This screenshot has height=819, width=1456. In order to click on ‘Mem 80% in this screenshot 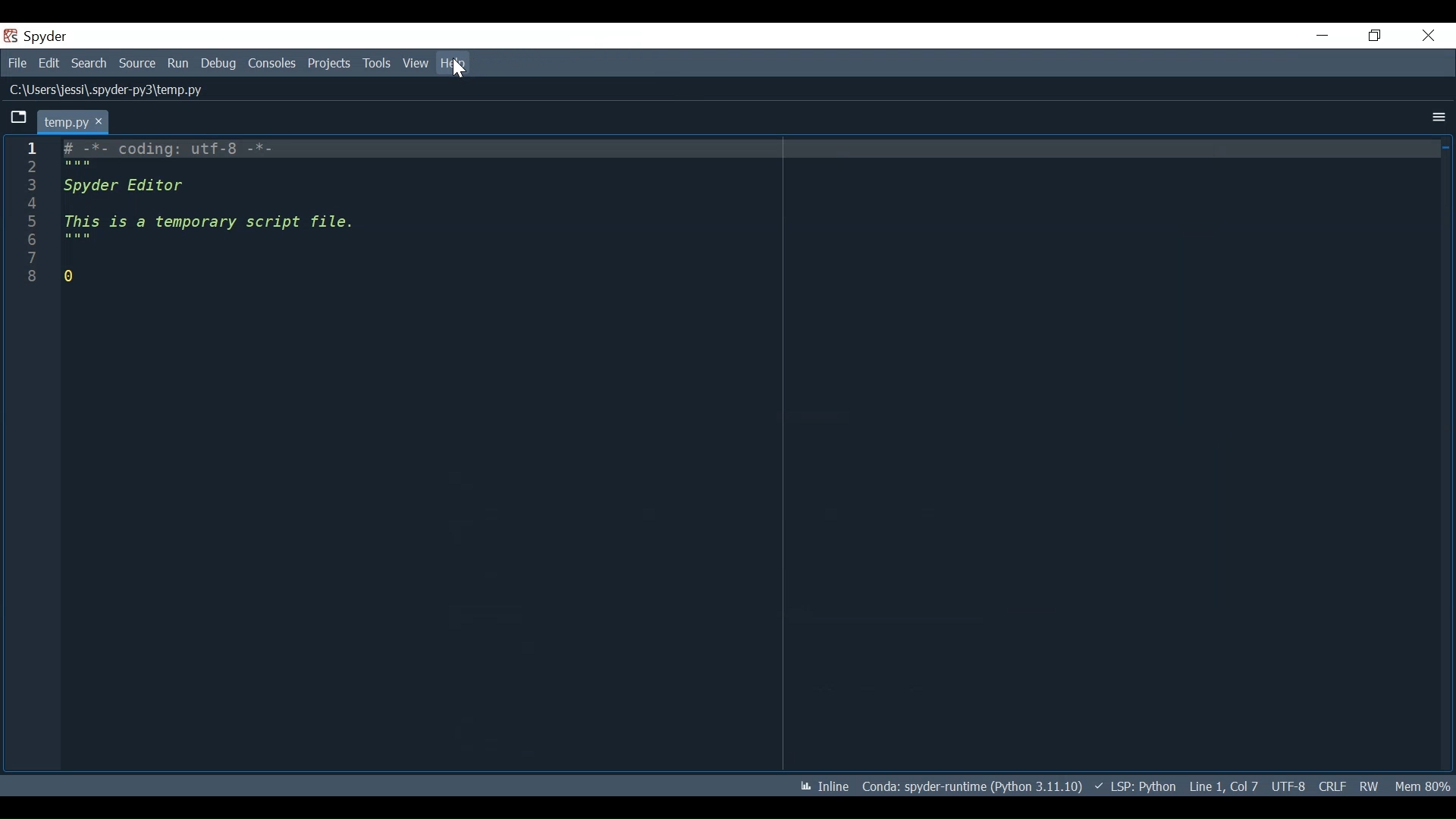, I will do `click(1426, 786)`.